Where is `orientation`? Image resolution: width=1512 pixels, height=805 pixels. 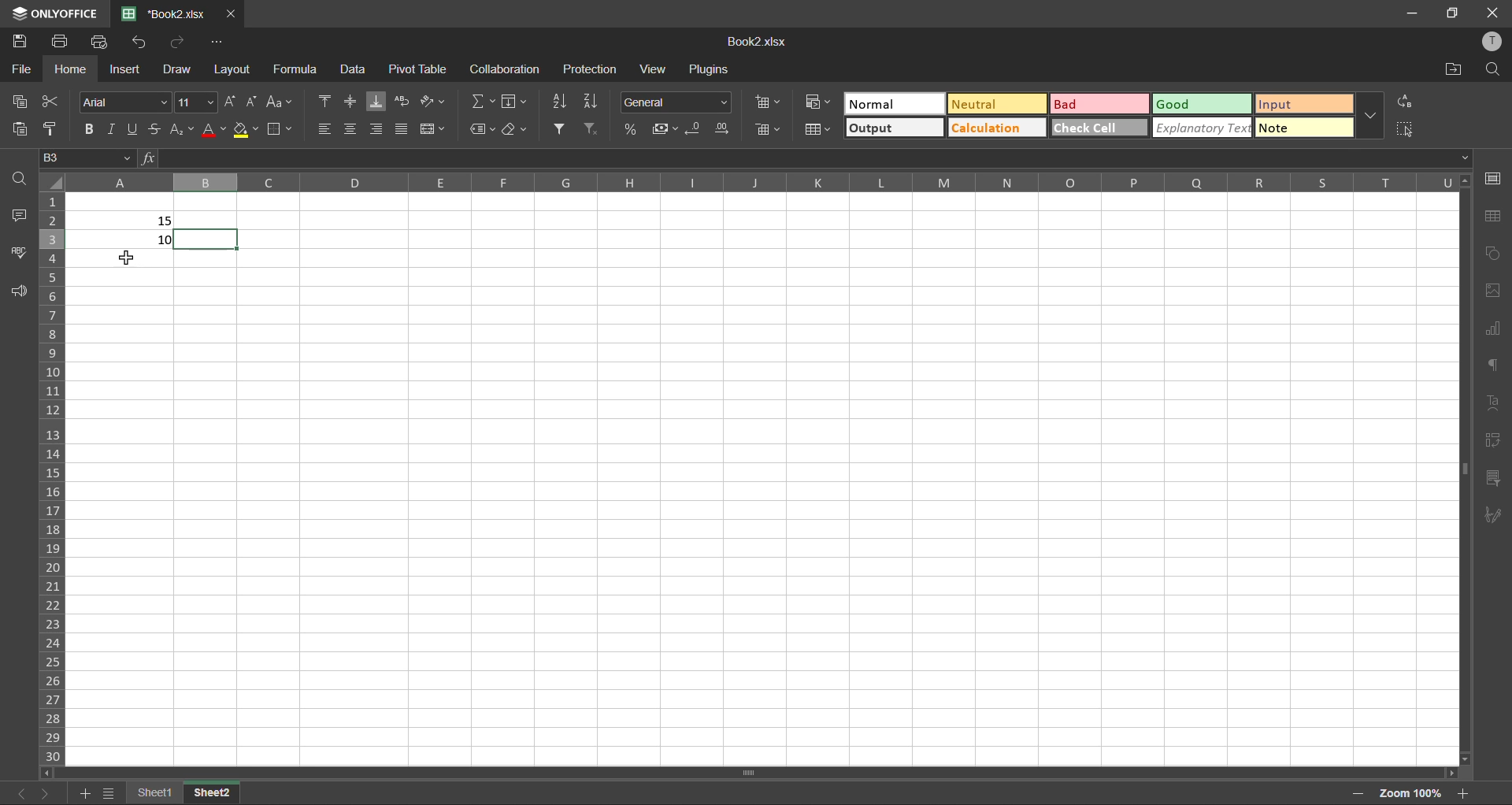
orientation is located at coordinates (434, 102).